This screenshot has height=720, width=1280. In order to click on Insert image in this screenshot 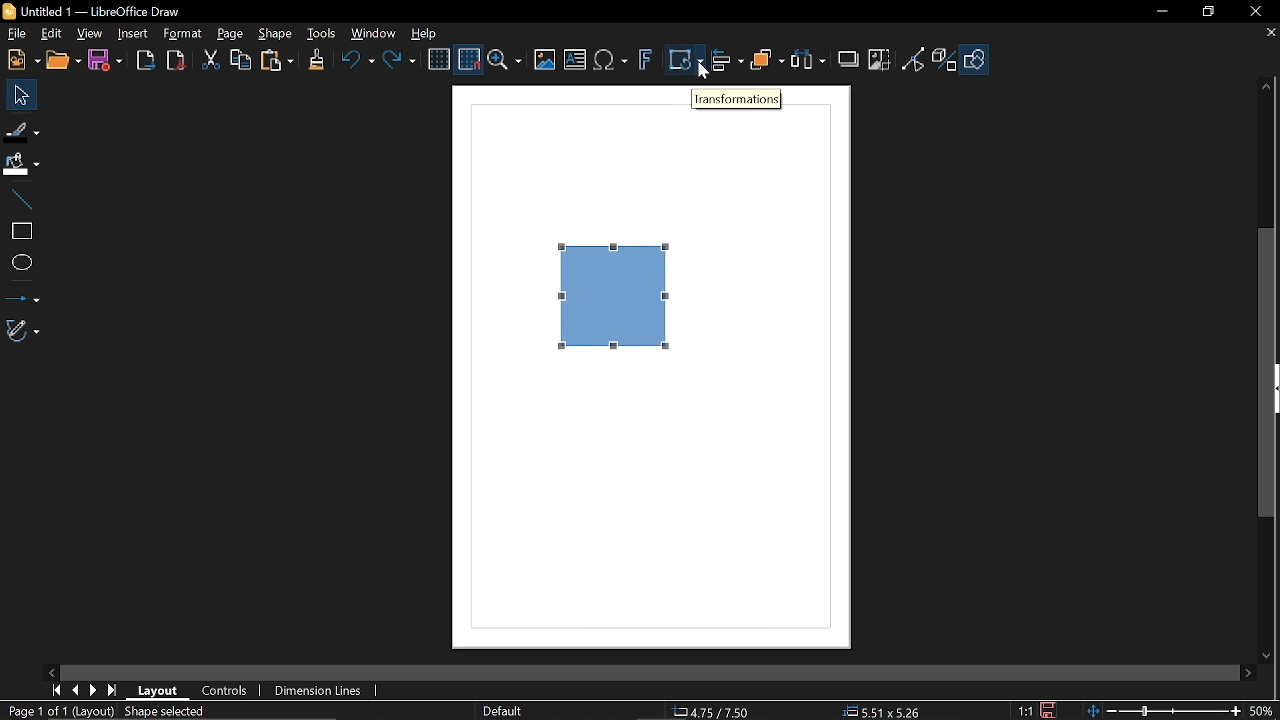, I will do `click(546, 60)`.